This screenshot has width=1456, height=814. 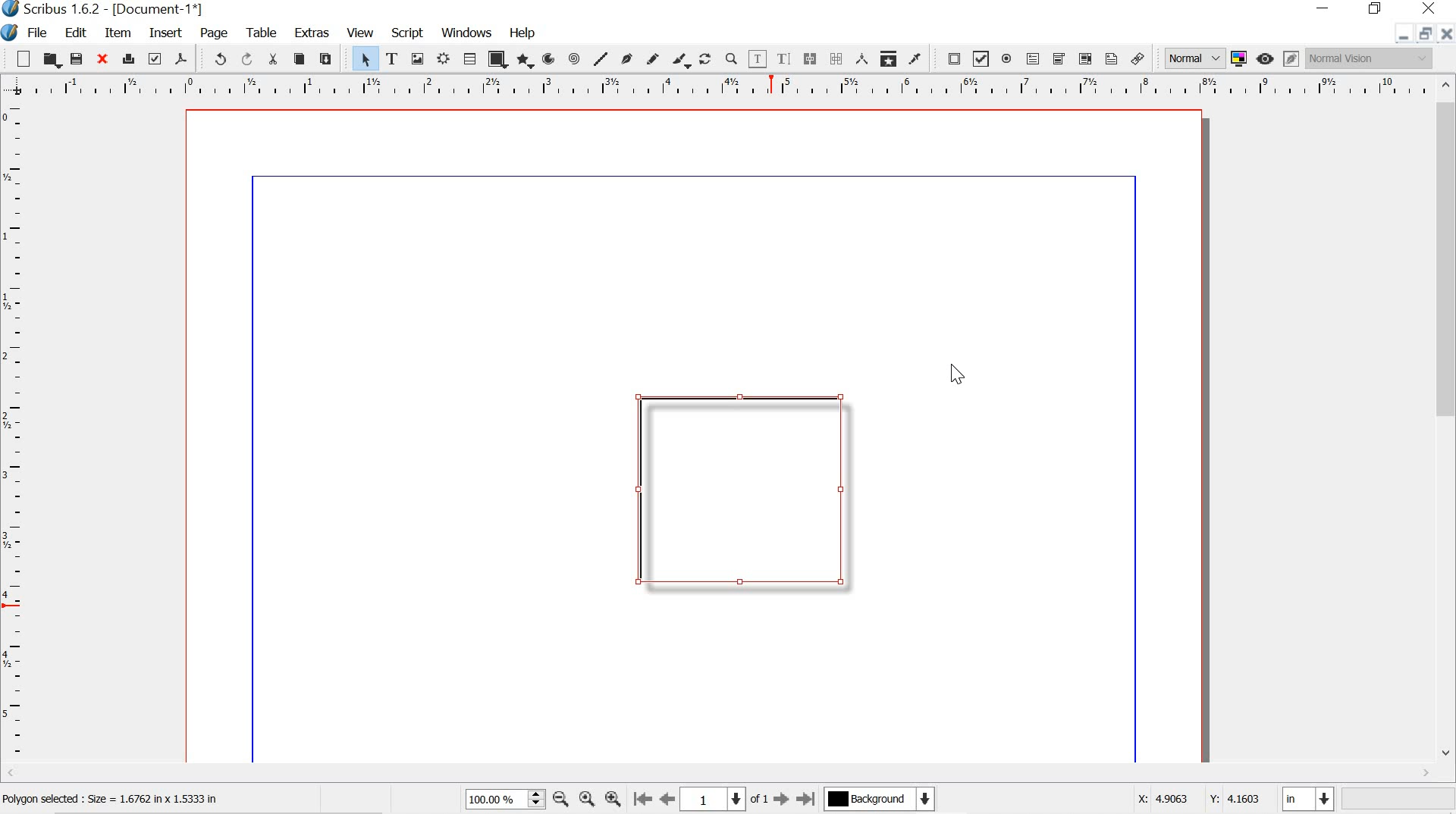 What do you see at coordinates (1111, 58) in the screenshot?
I see `text annotation` at bounding box center [1111, 58].